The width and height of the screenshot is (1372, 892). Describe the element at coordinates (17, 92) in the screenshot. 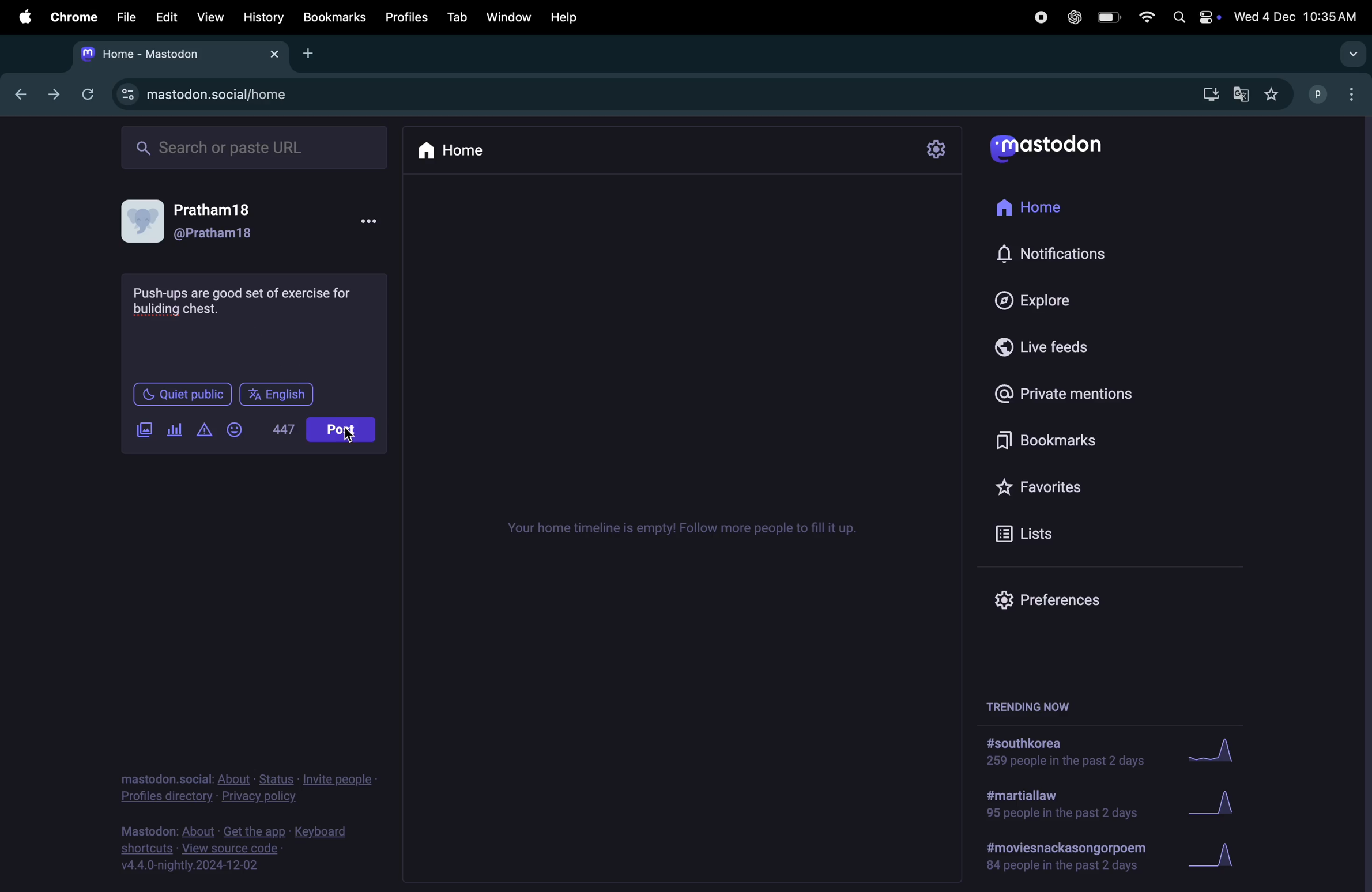

I see `go back` at that location.